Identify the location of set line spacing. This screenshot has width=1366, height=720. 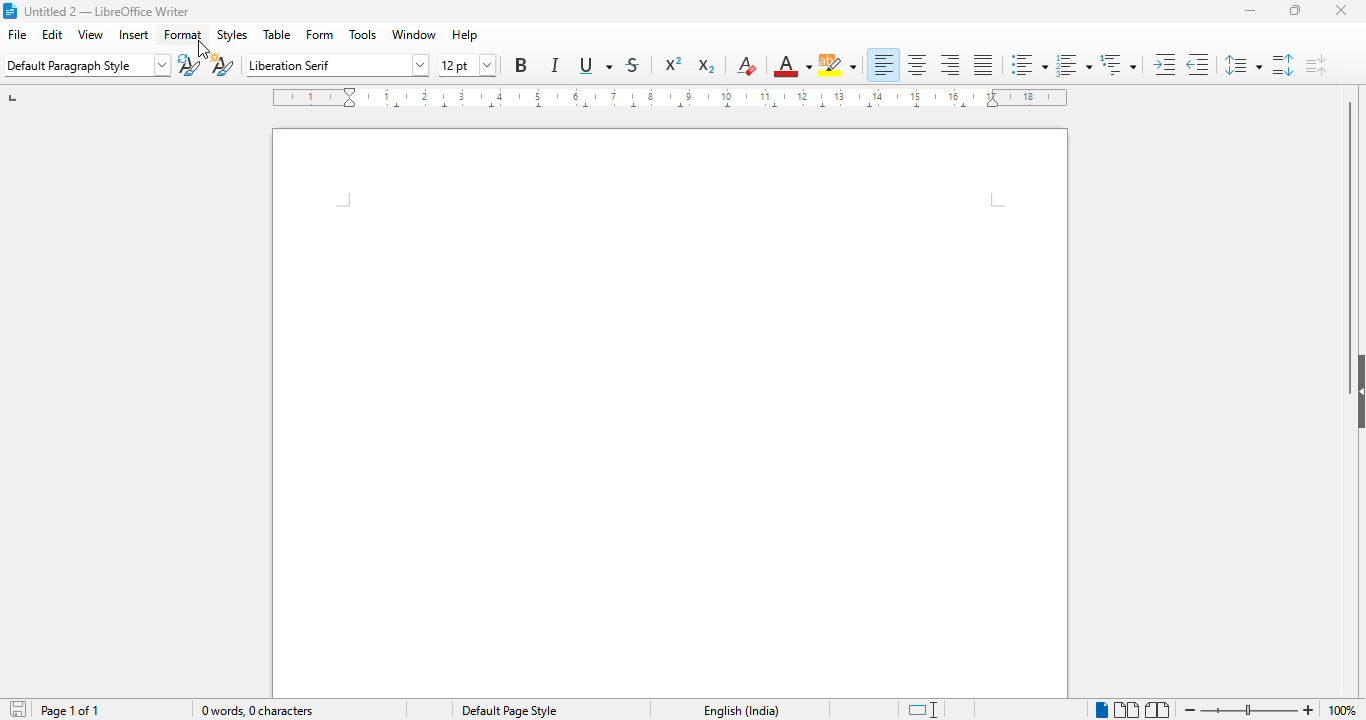
(1242, 65).